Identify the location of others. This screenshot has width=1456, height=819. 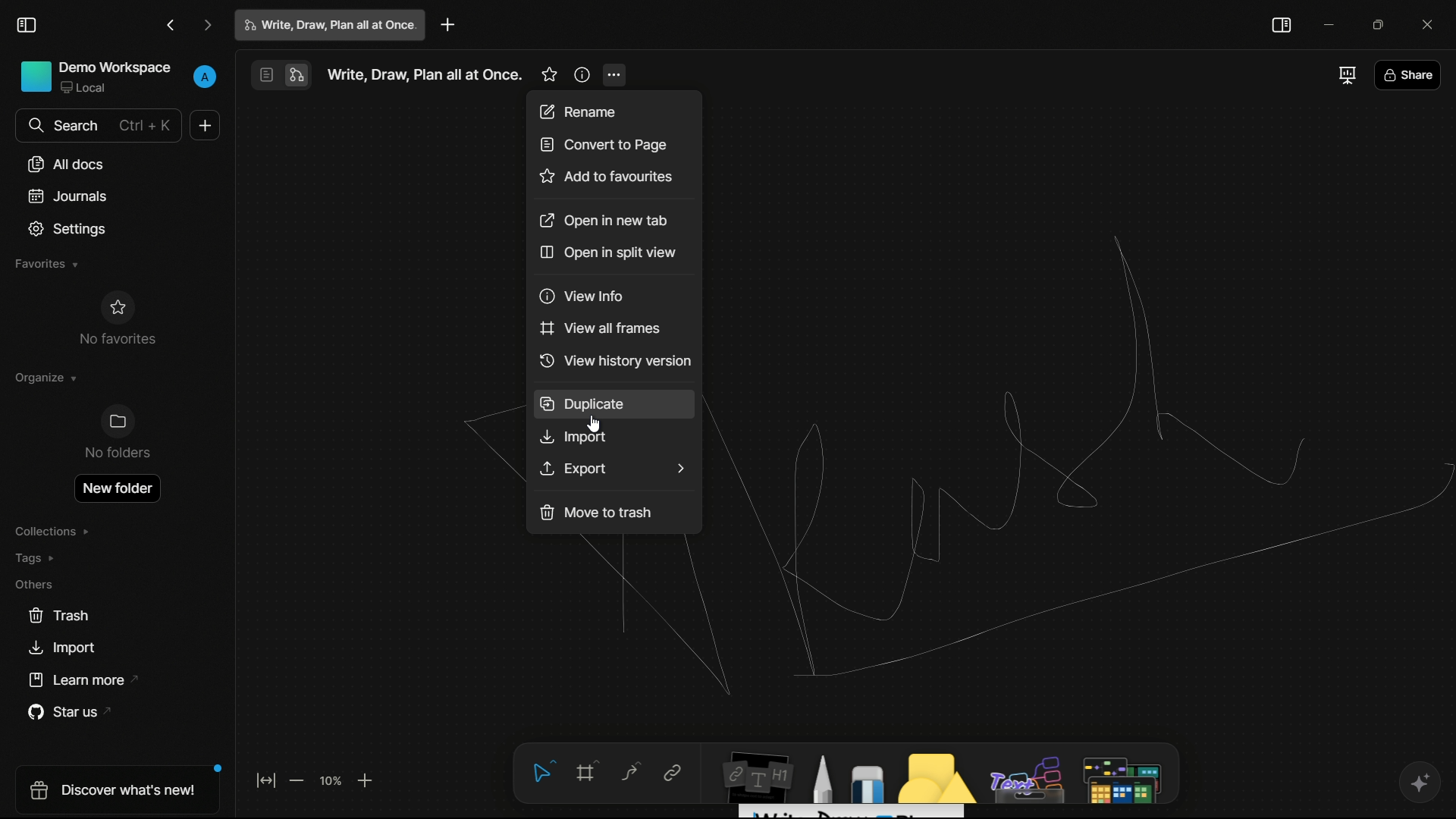
(1028, 775).